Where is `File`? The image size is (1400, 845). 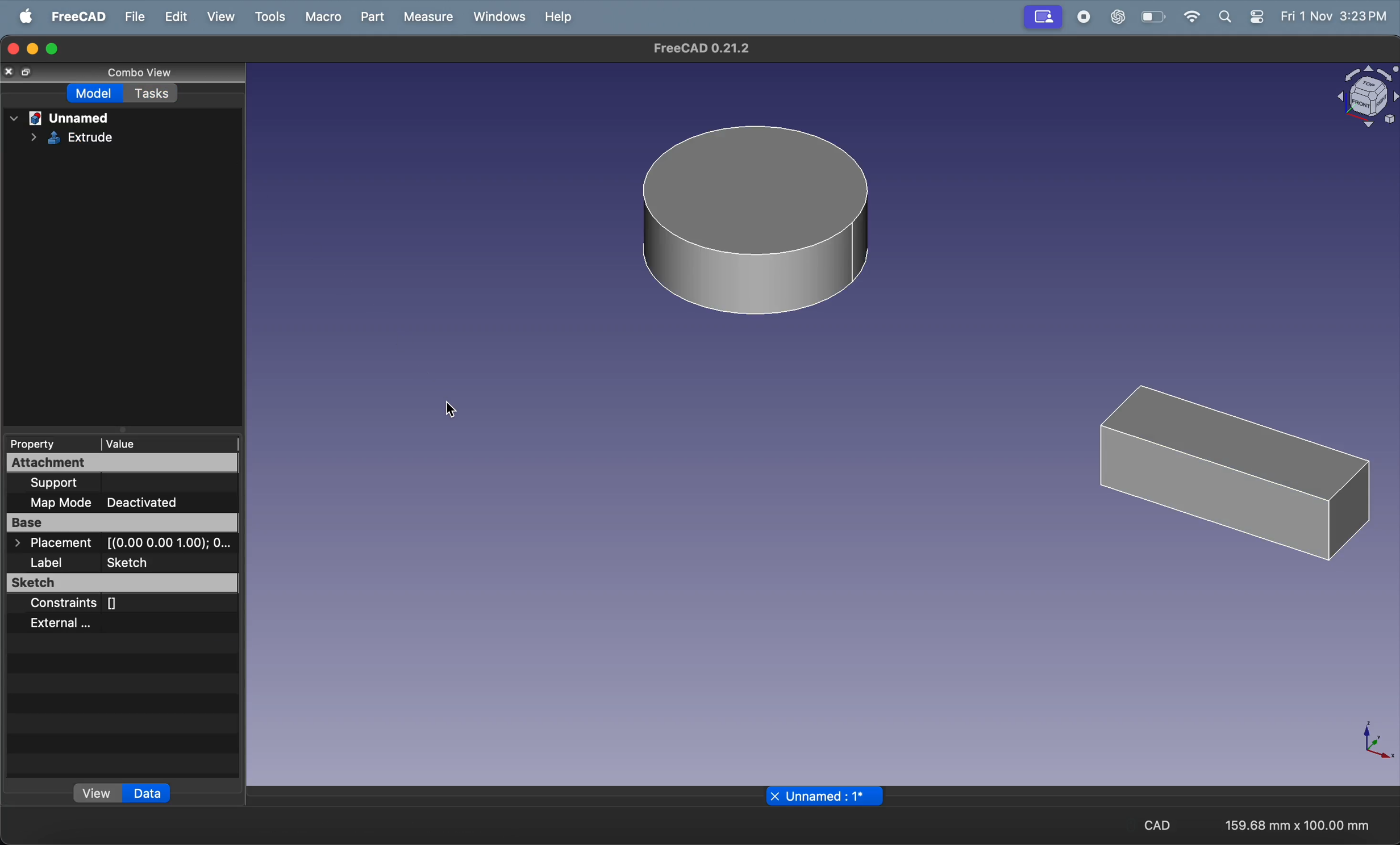 File is located at coordinates (134, 16).